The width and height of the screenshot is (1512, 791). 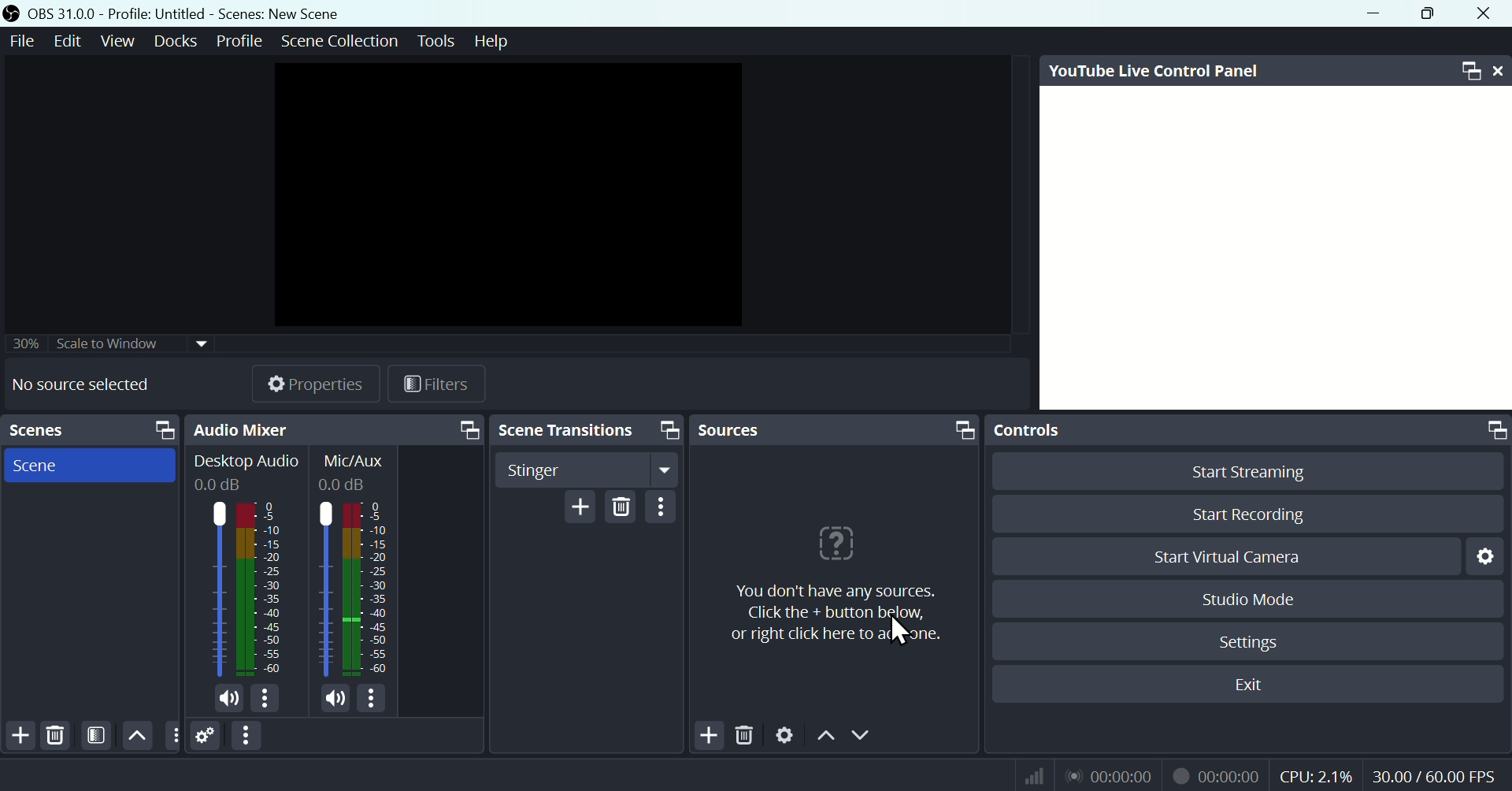 I want to click on Delete, so click(x=621, y=505).